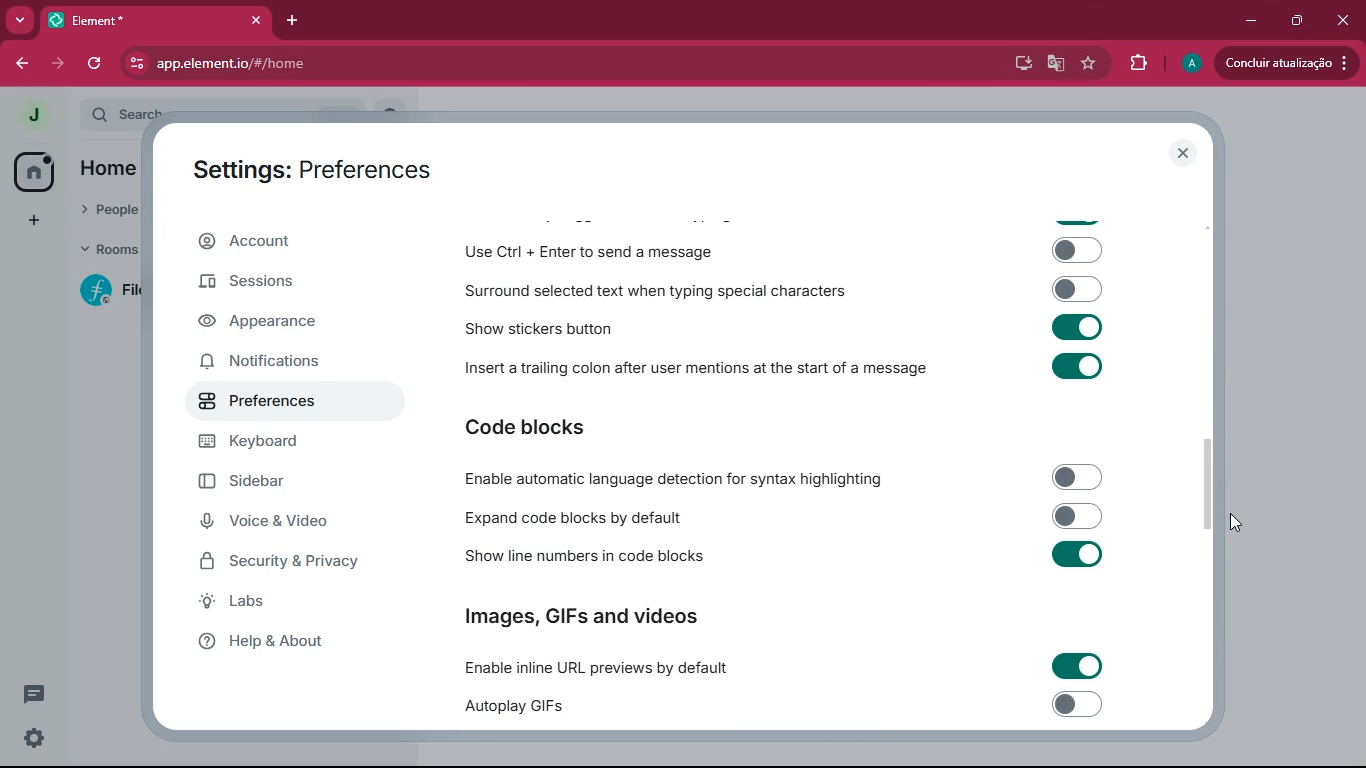 The height and width of the screenshot is (768, 1366). What do you see at coordinates (1140, 63) in the screenshot?
I see `extensions` at bounding box center [1140, 63].